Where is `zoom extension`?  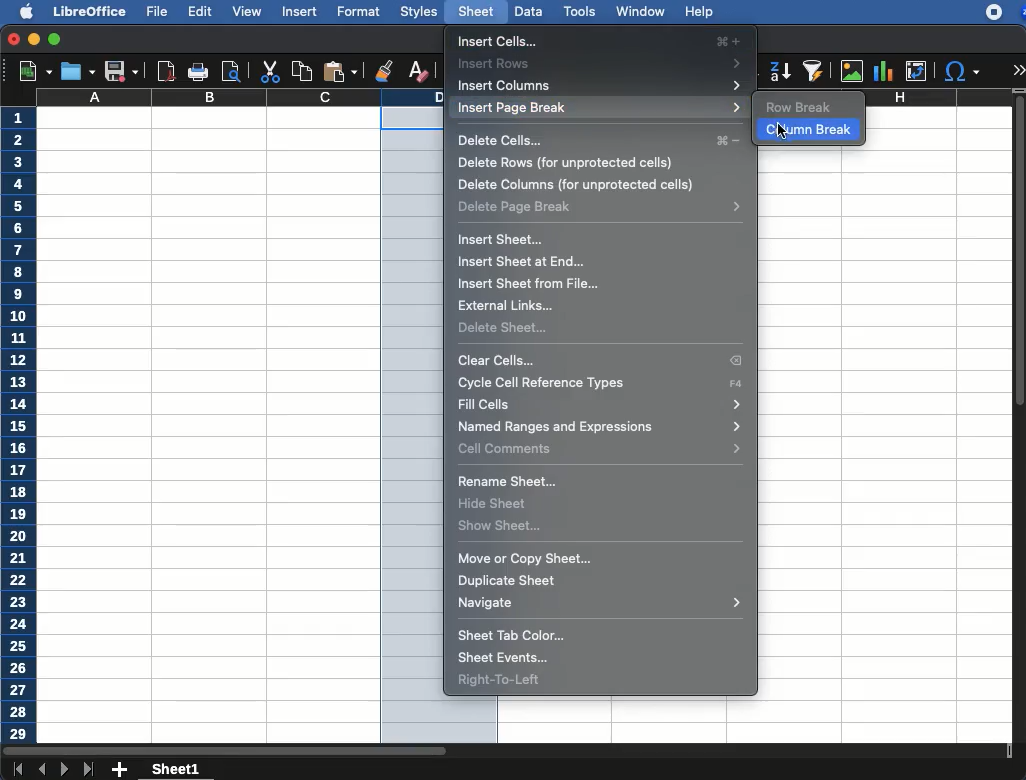
zoom extension is located at coordinates (1020, 12).